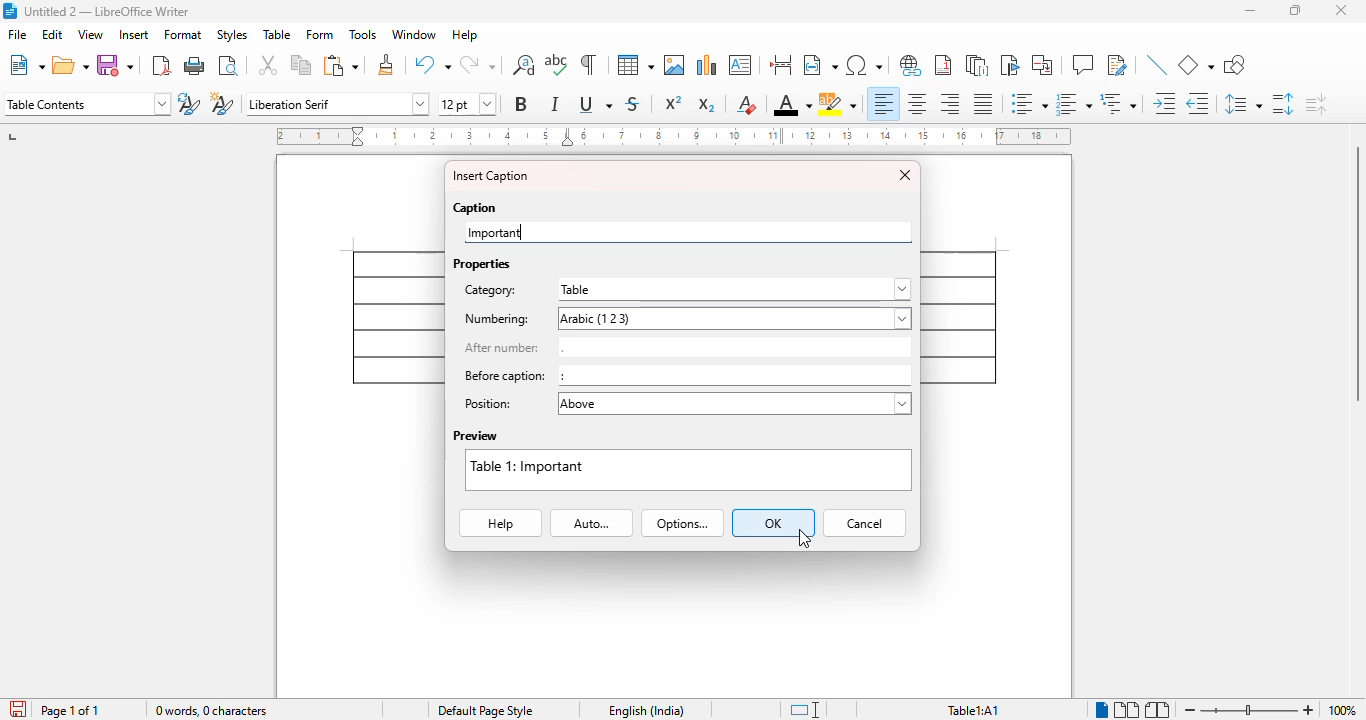 The image size is (1366, 720). Describe the element at coordinates (773, 523) in the screenshot. I see `OK` at that location.